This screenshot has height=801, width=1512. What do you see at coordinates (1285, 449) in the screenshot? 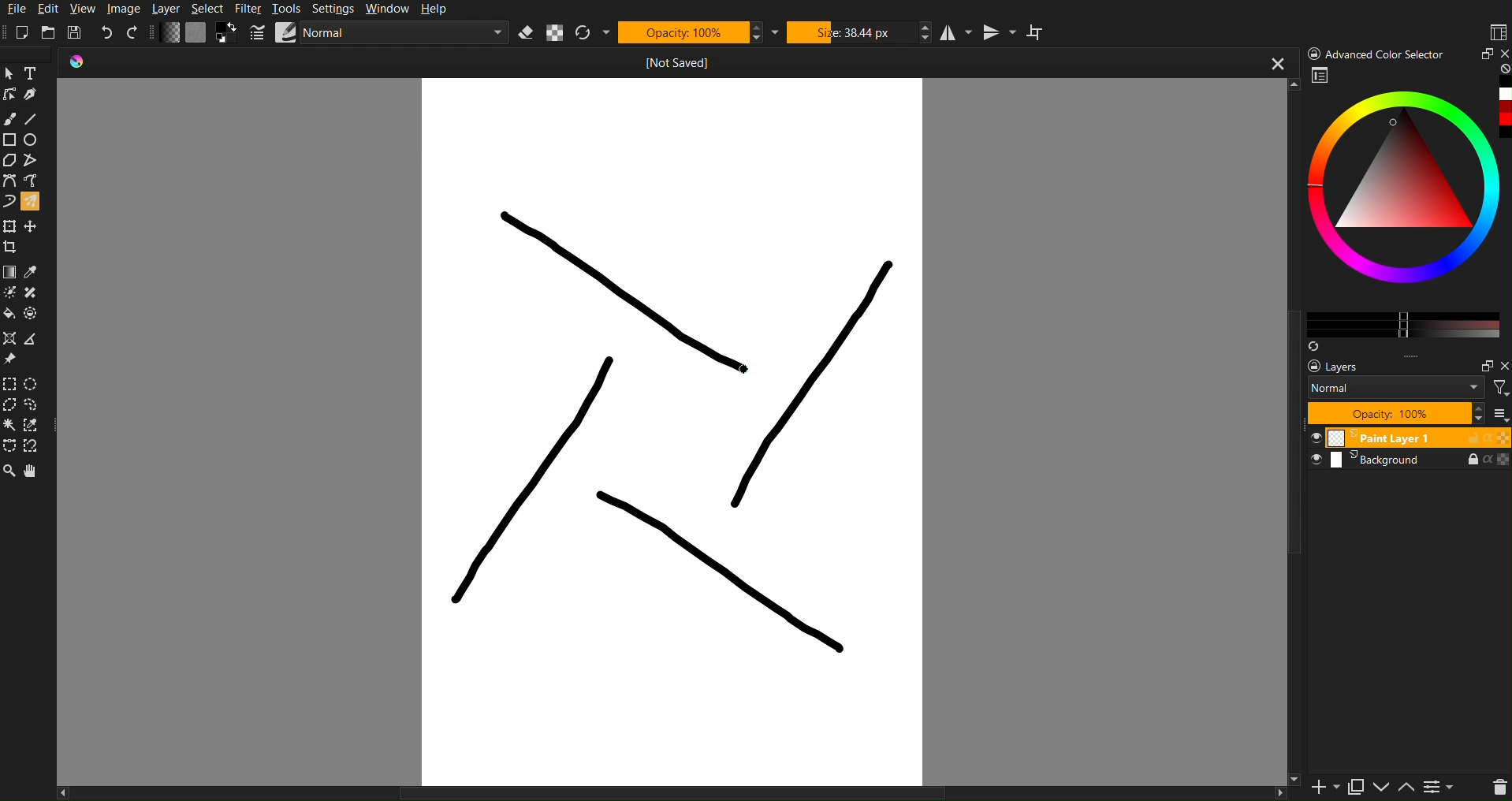
I see `Vertical Scrol bar` at bounding box center [1285, 449].